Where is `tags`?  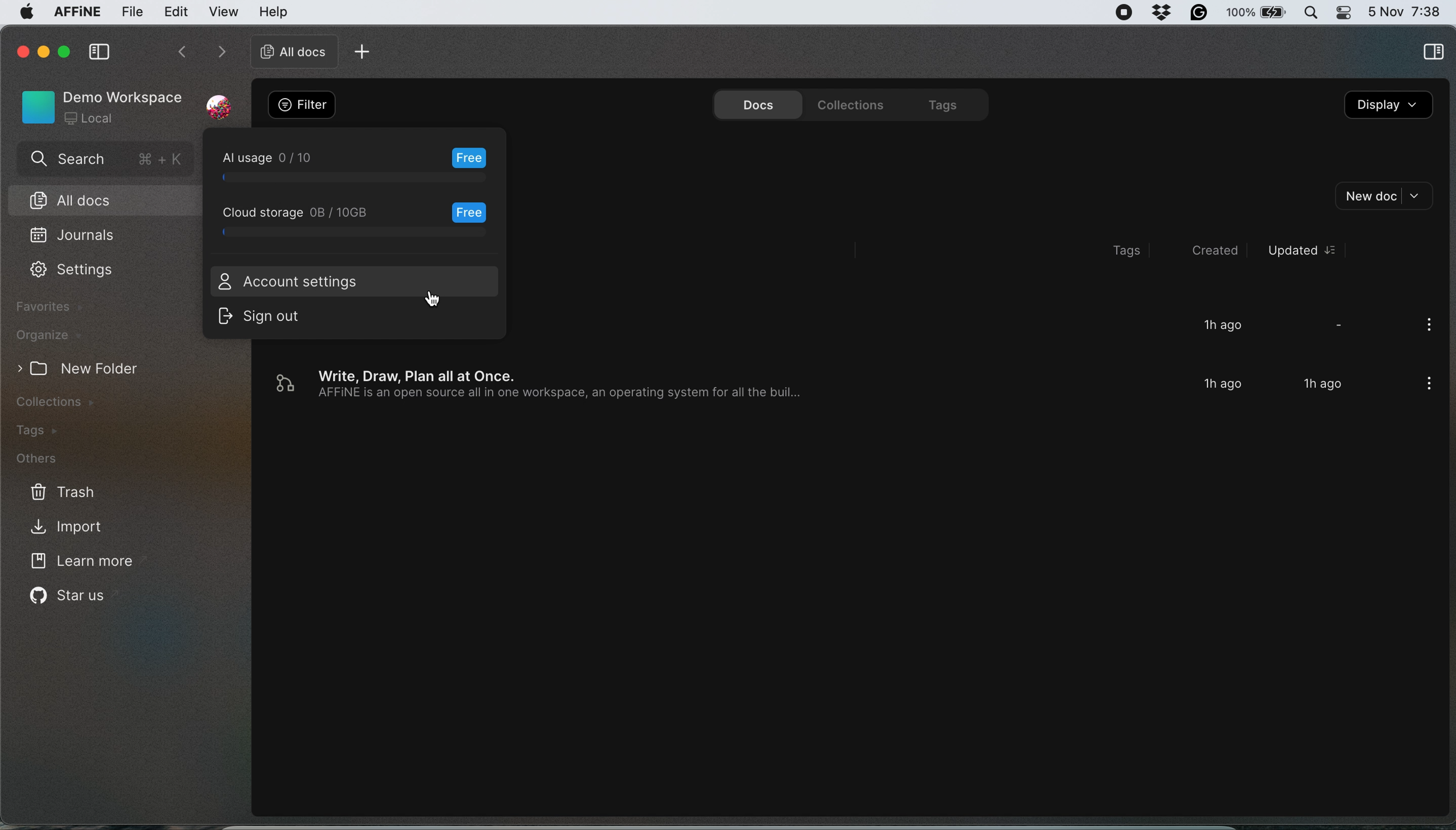
tags is located at coordinates (941, 103).